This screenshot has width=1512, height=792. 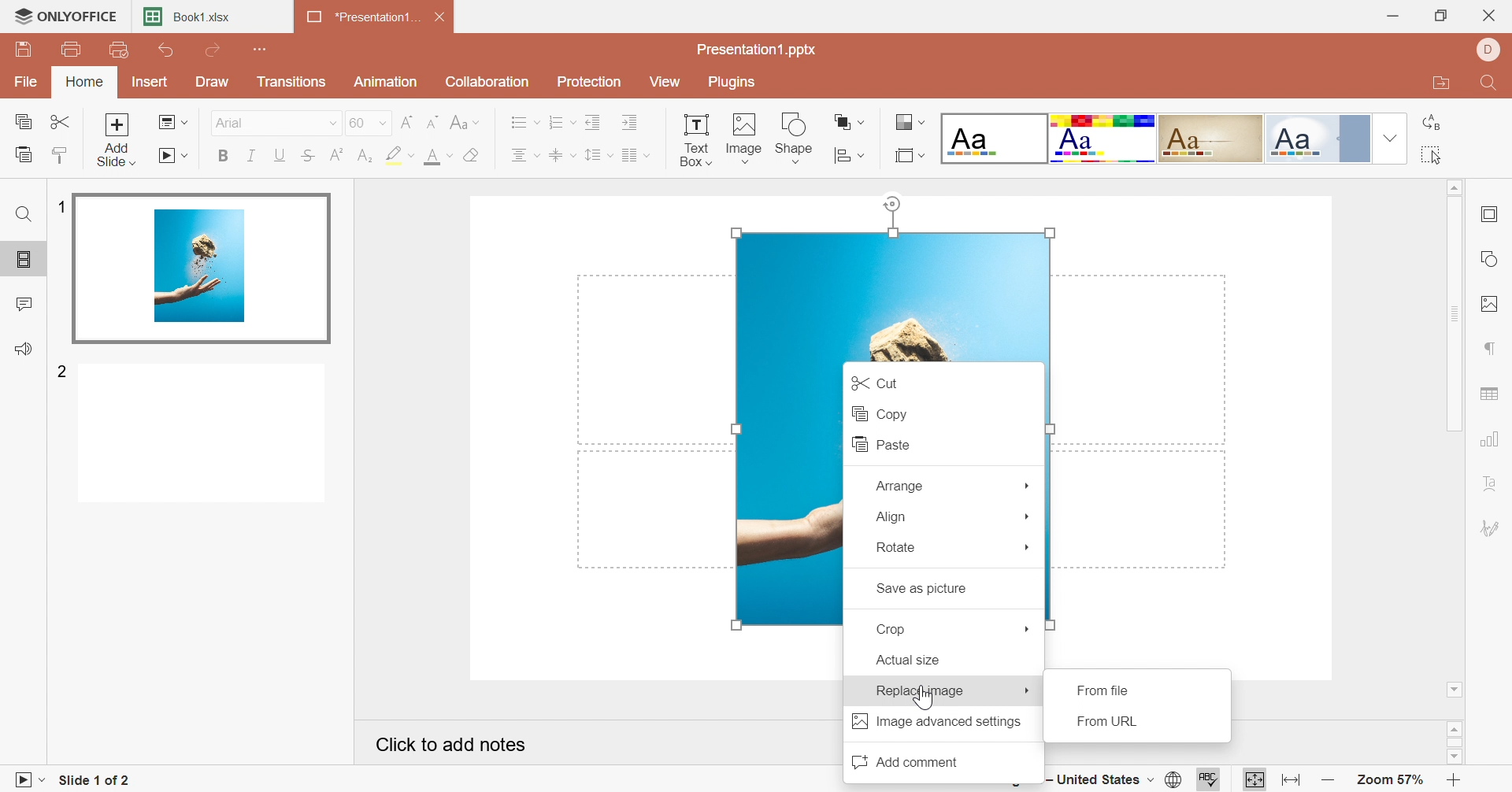 What do you see at coordinates (525, 154) in the screenshot?
I see `Horizontal align` at bounding box center [525, 154].